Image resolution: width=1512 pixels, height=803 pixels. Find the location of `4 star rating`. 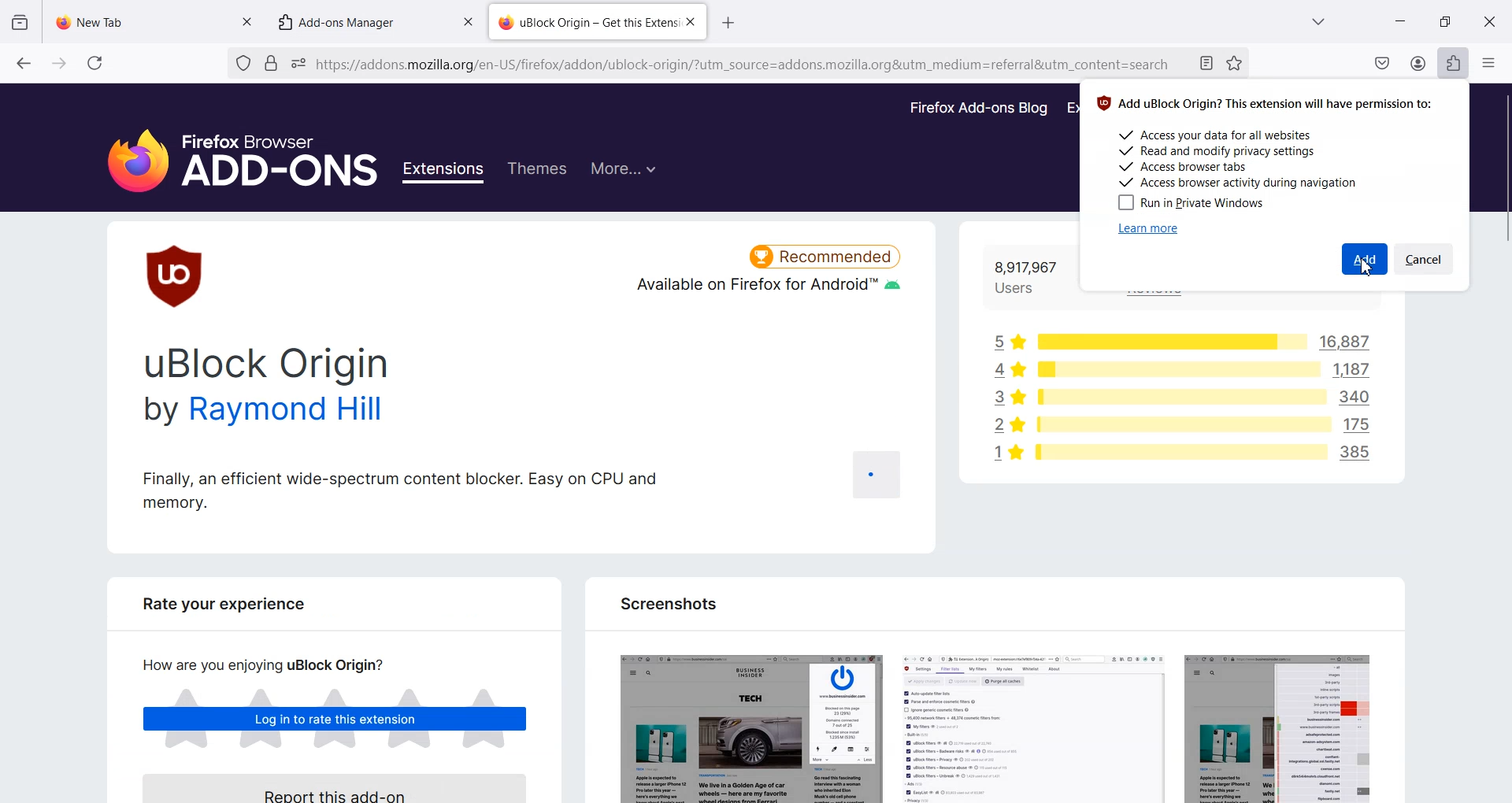

4 star rating is located at coordinates (1001, 368).